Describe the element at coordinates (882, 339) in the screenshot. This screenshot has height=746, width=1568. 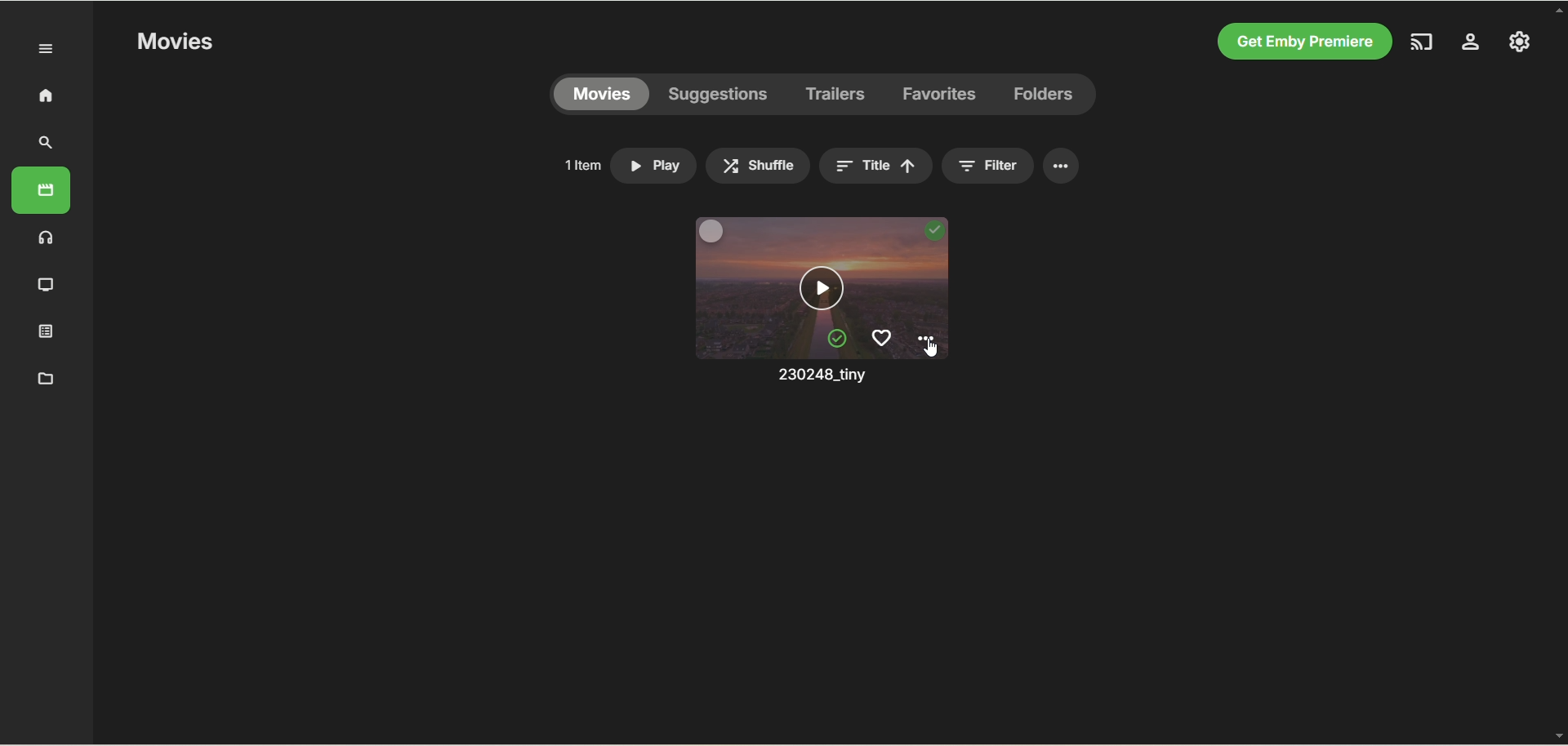
I see `favorites` at that location.